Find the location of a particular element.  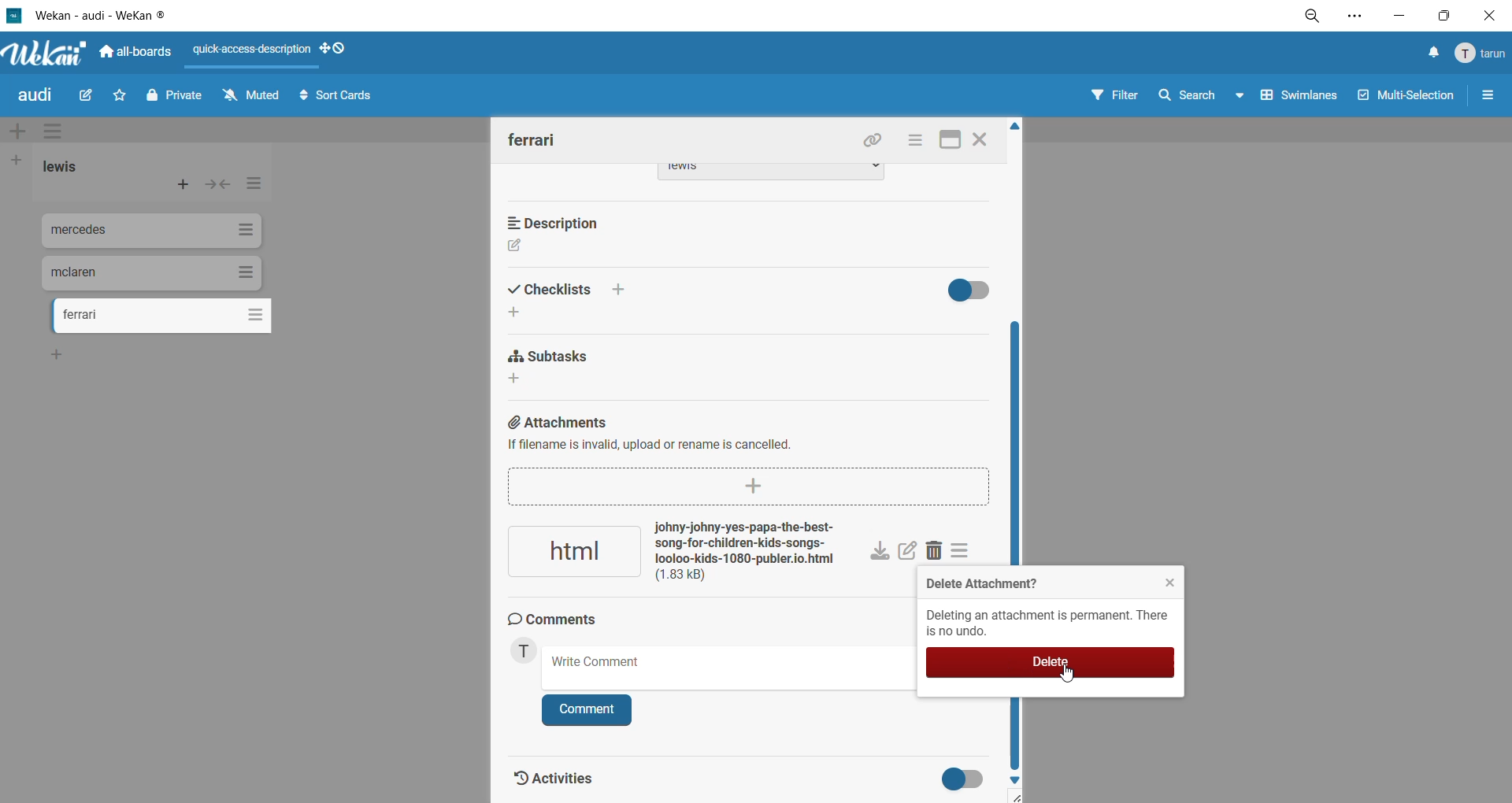

add swimlane is located at coordinates (17, 128).